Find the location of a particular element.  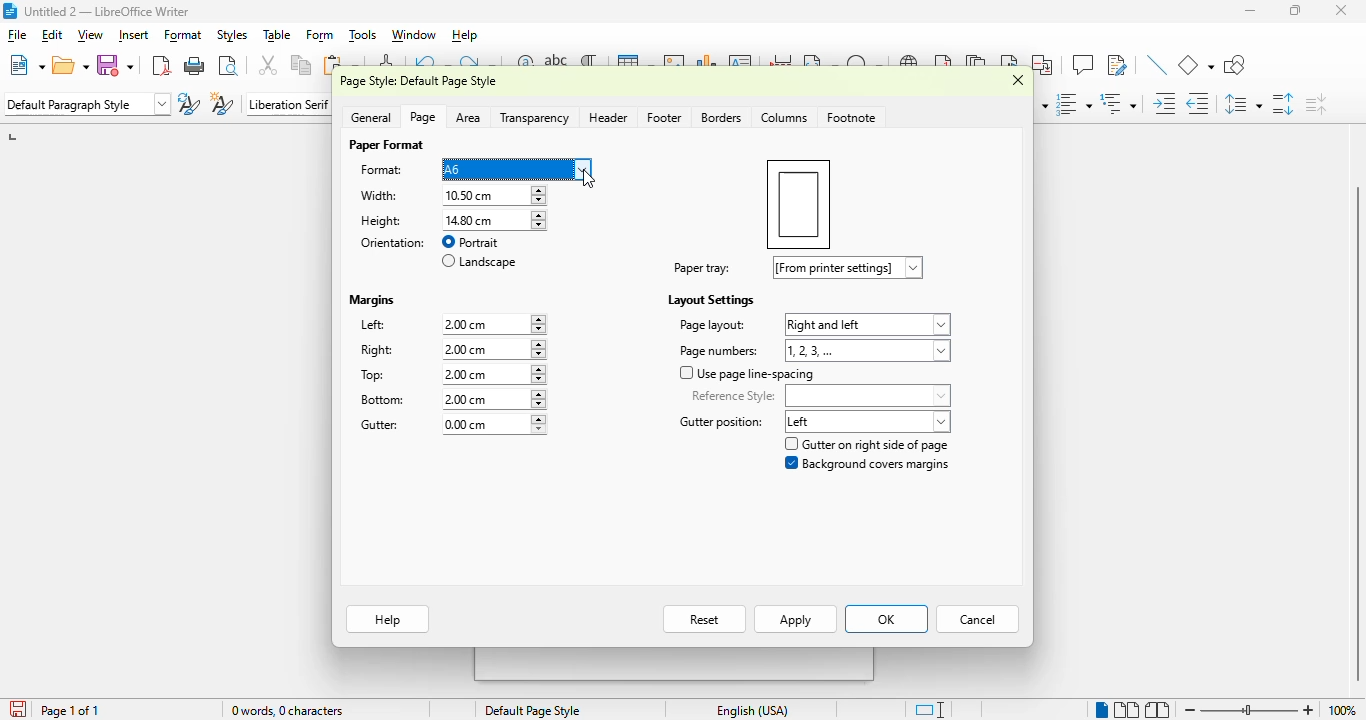

footer is located at coordinates (663, 117).